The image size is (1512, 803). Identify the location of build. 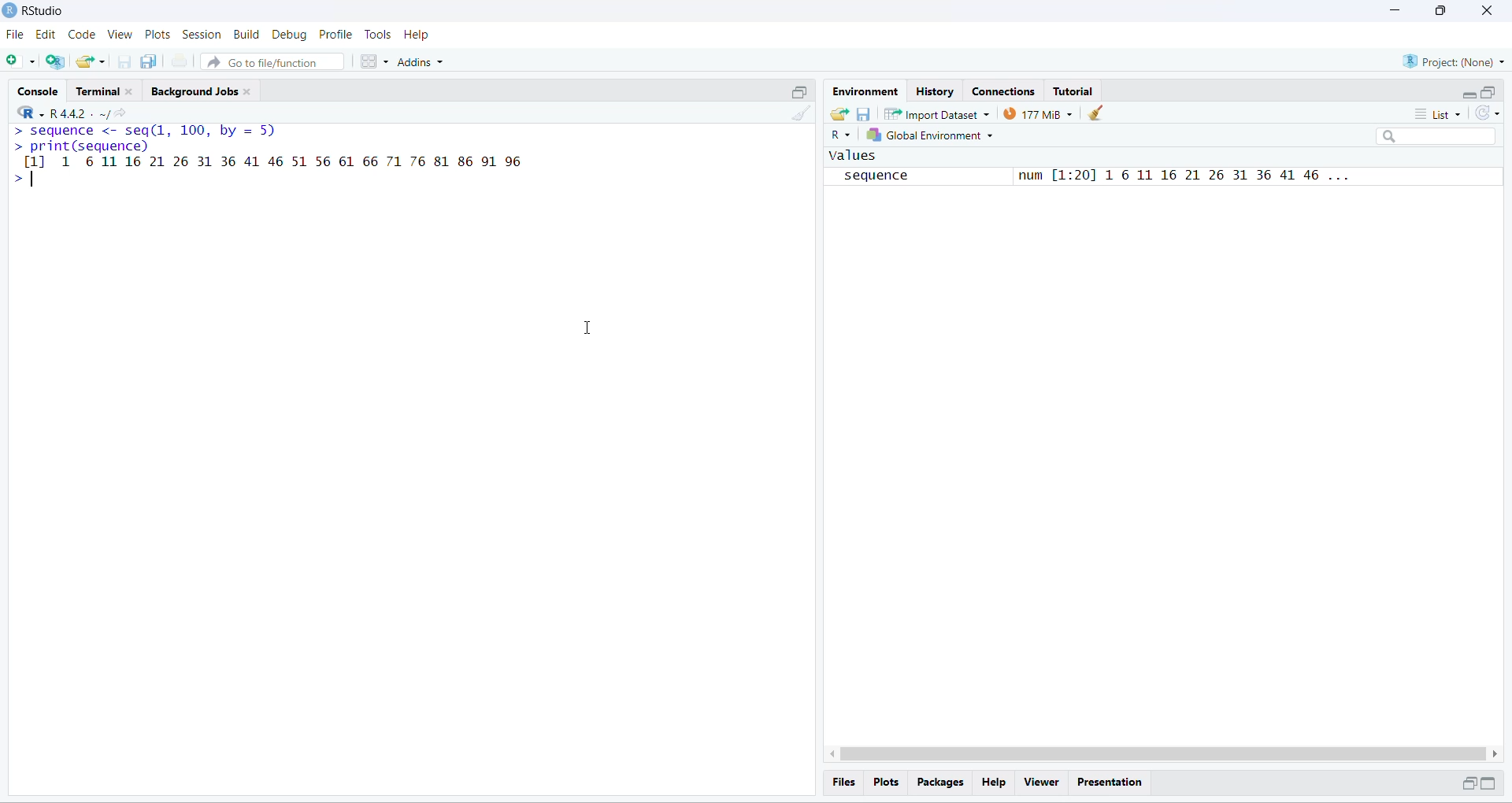
(247, 35).